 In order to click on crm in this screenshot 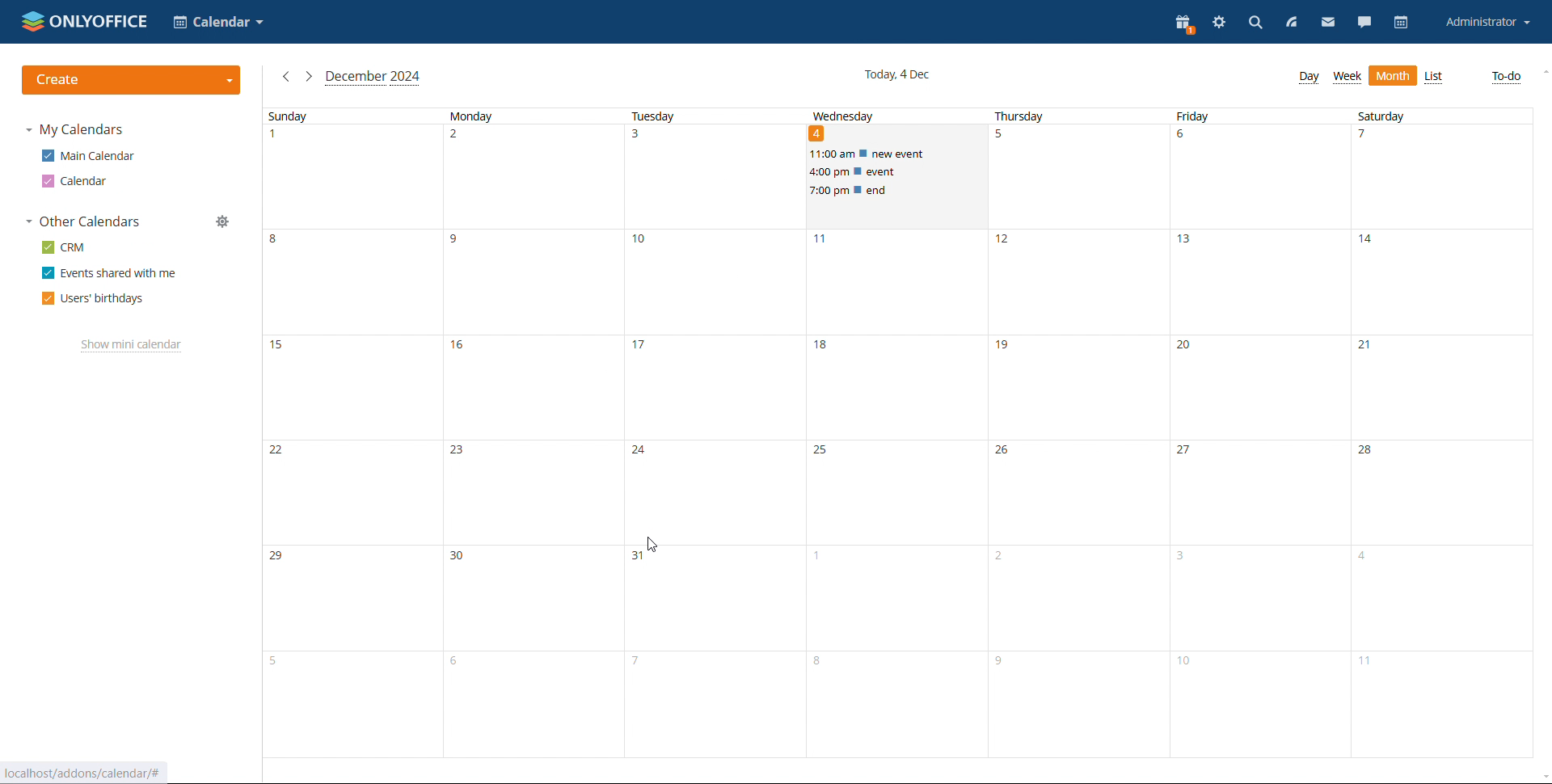, I will do `click(64, 246)`.